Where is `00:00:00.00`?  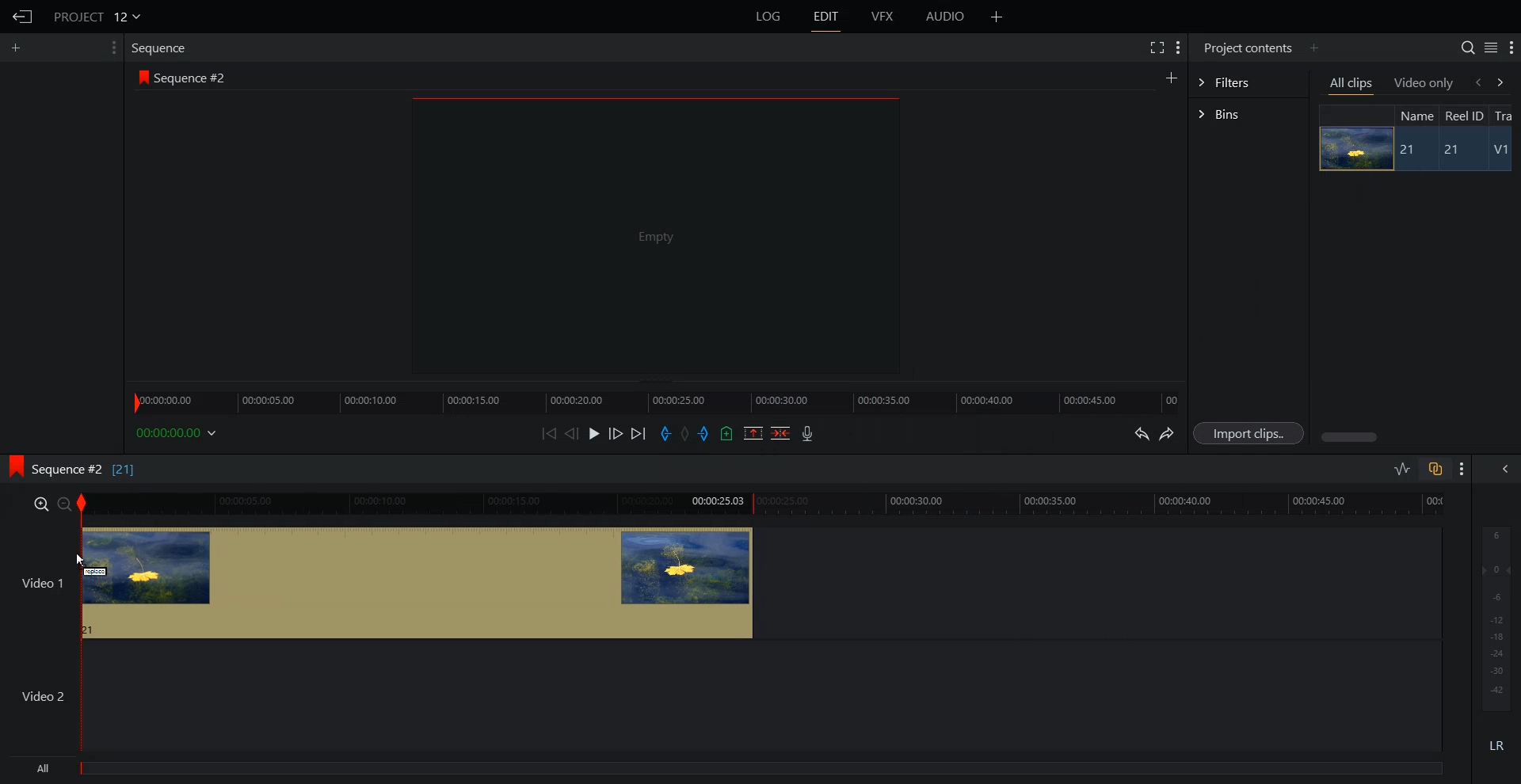
00:00:00.00 is located at coordinates (179, 432).